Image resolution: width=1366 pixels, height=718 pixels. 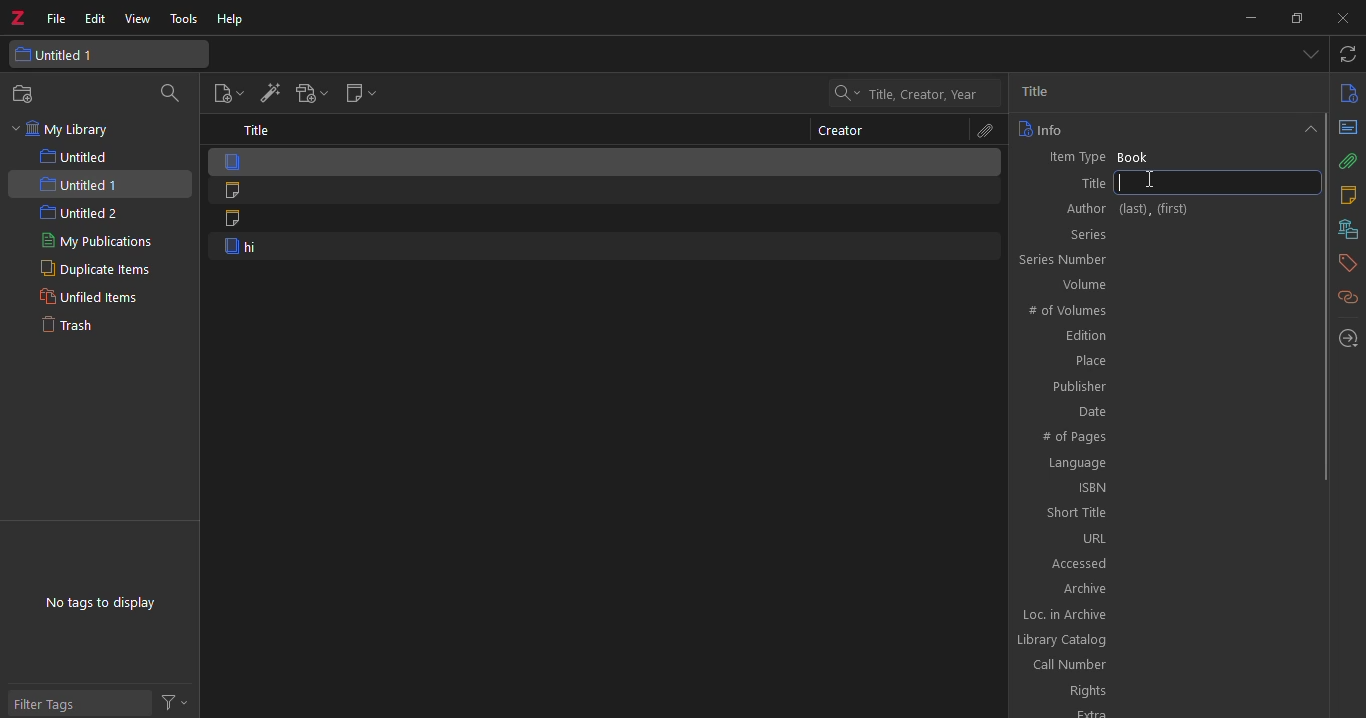 I want to click on note, so click(x=602, y=191).